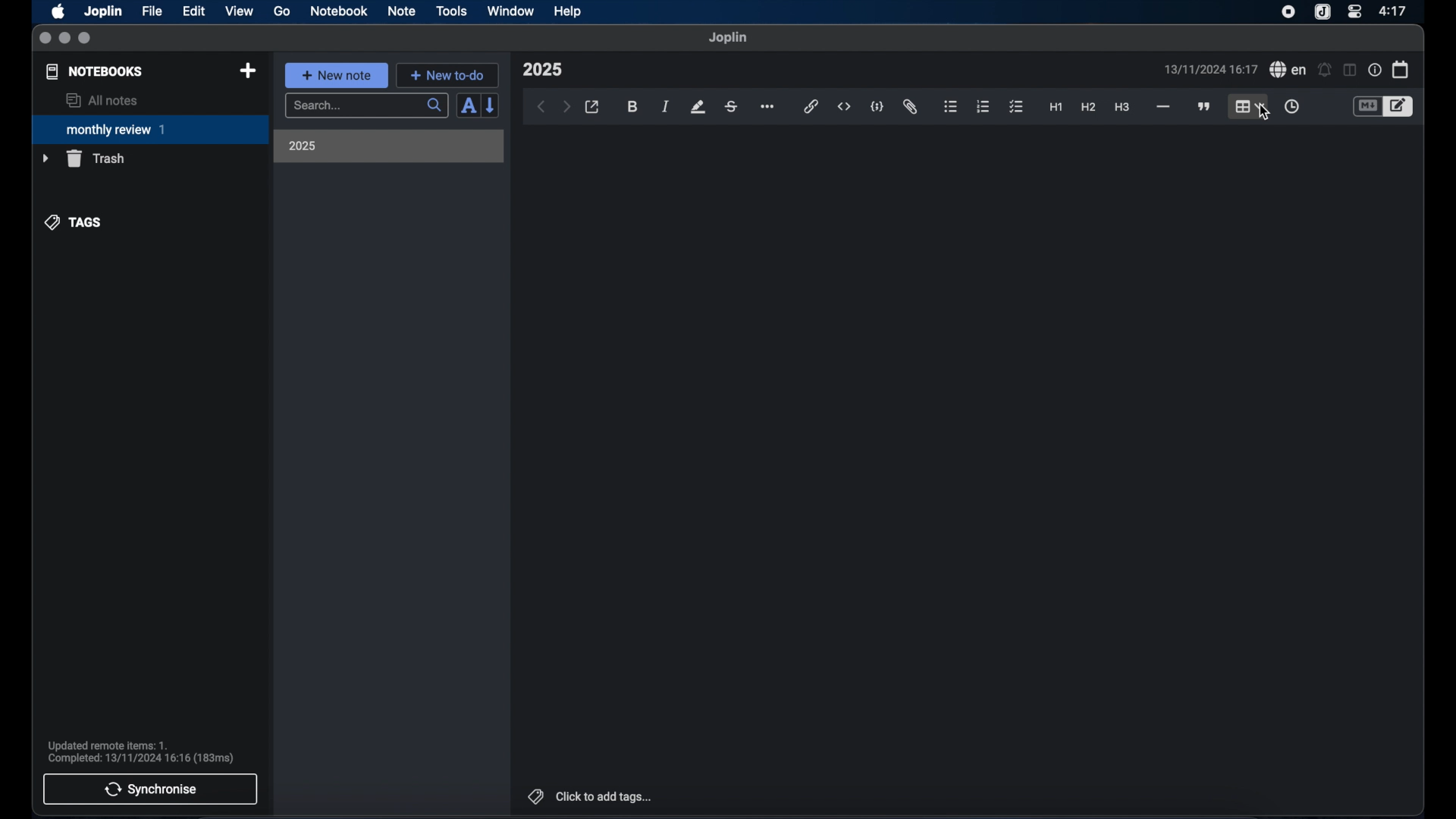  What do you see at coordinates (728, 37) in the screenshot?
I see `joplin` at bounding box center [728, 37].